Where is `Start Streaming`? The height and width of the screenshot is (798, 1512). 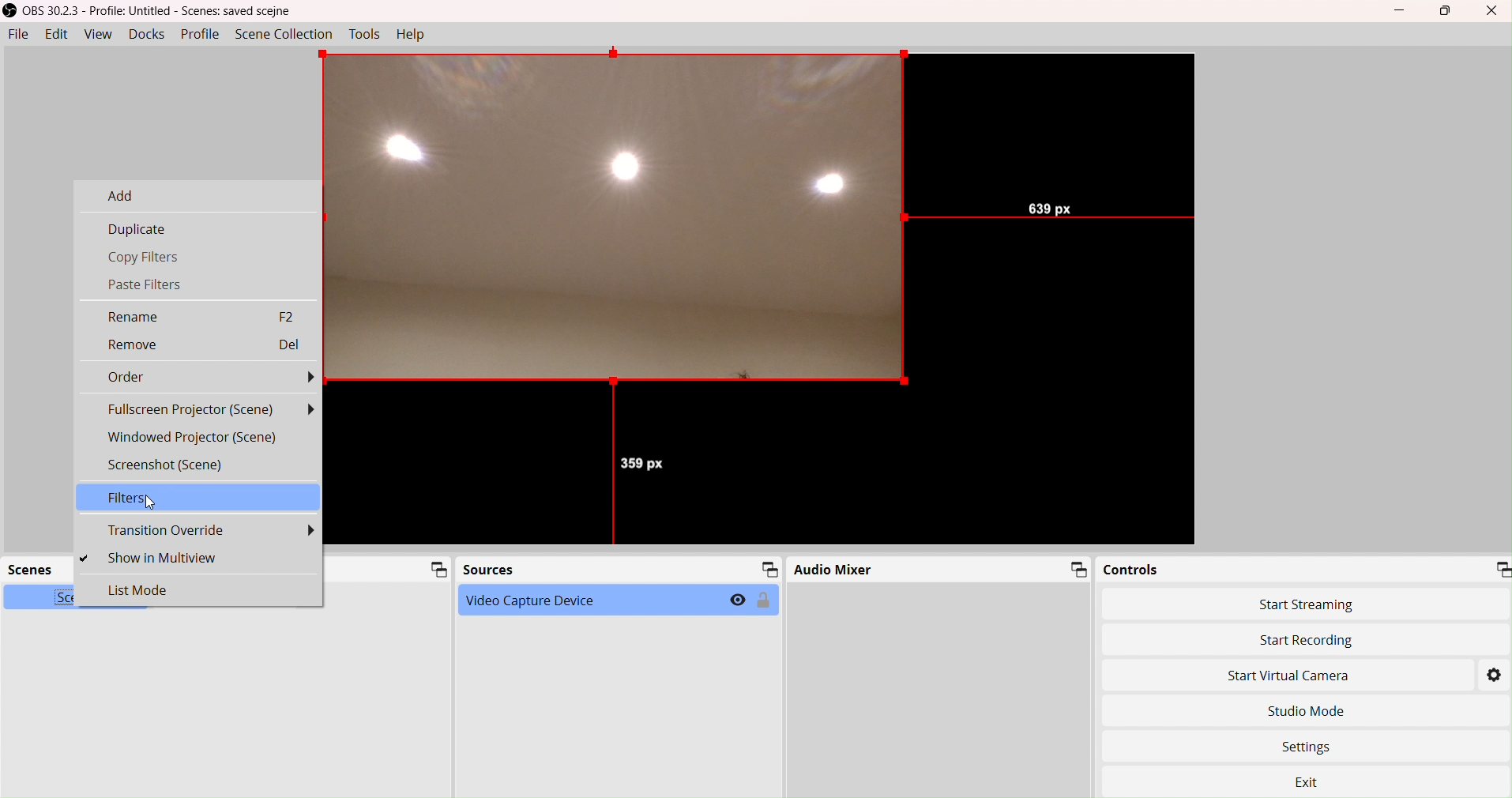
Start Streaming is located at coordinates (1307, 604).